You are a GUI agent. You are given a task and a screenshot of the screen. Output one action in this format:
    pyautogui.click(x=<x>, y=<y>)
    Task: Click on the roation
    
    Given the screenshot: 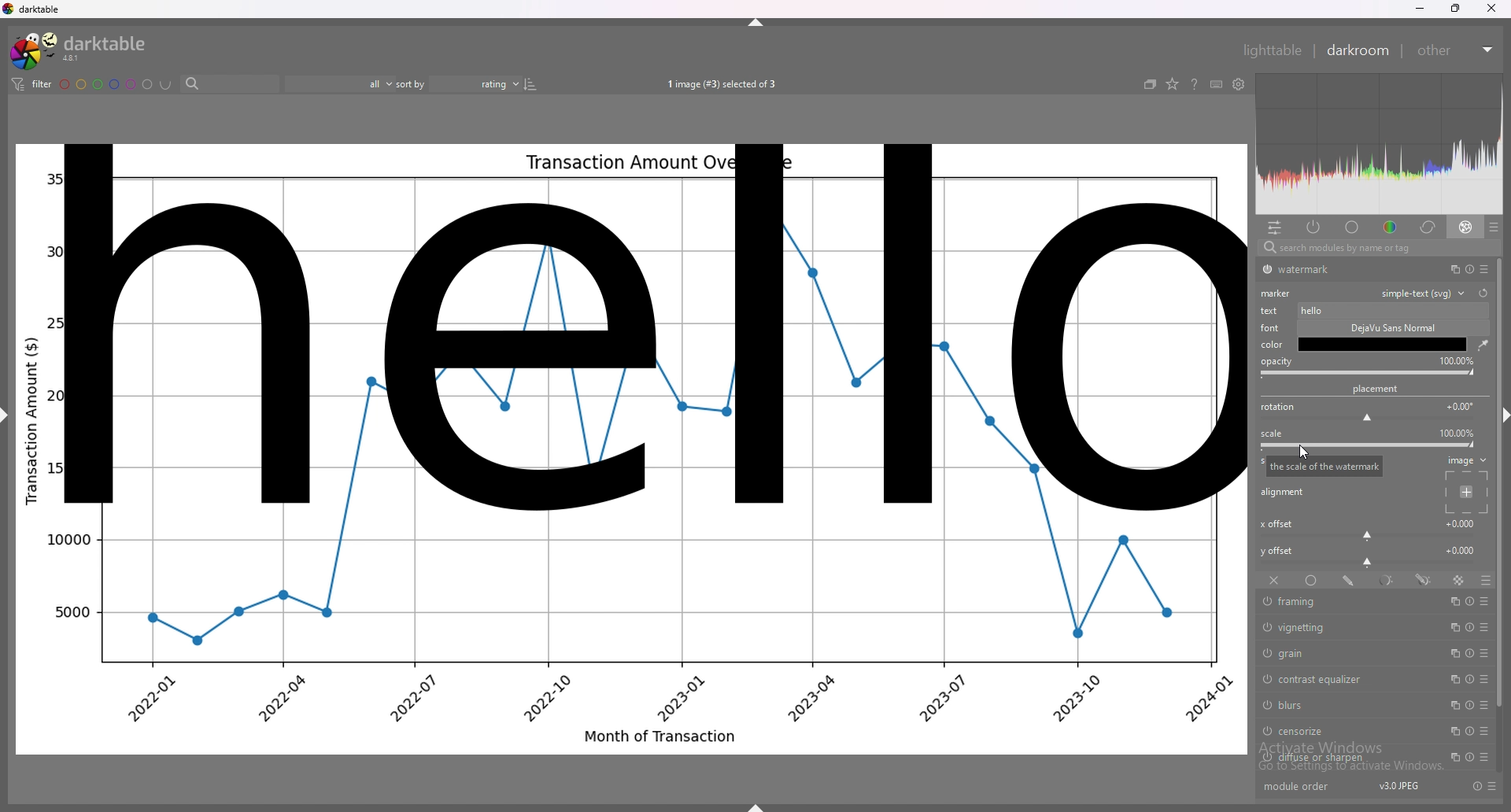 What is the action you would take?
    pyautogui.click(x=1277, y=408)
    